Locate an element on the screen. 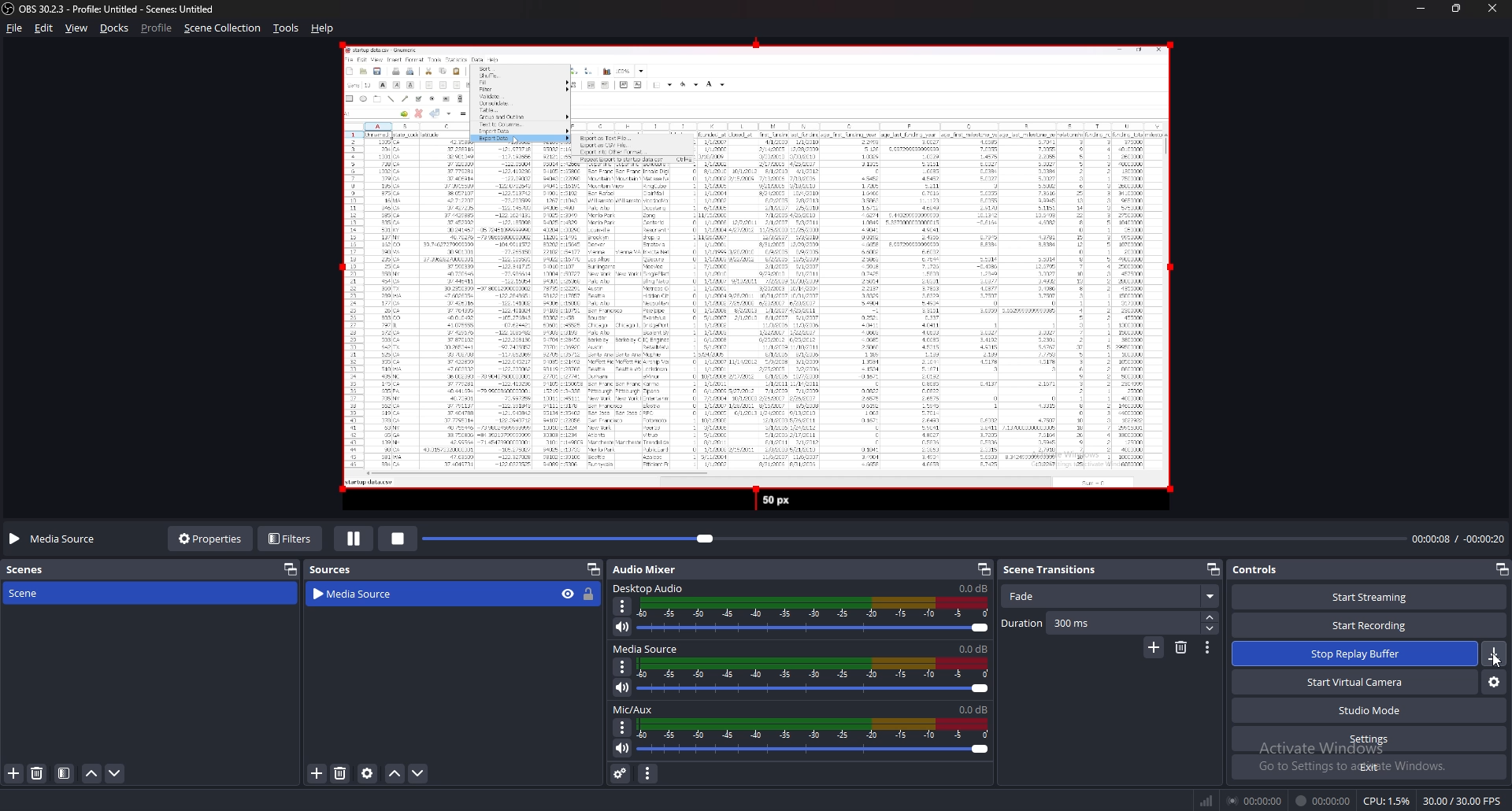 This screenshot has width=1512, height=811. add scene is located at coordinates (14, 774).